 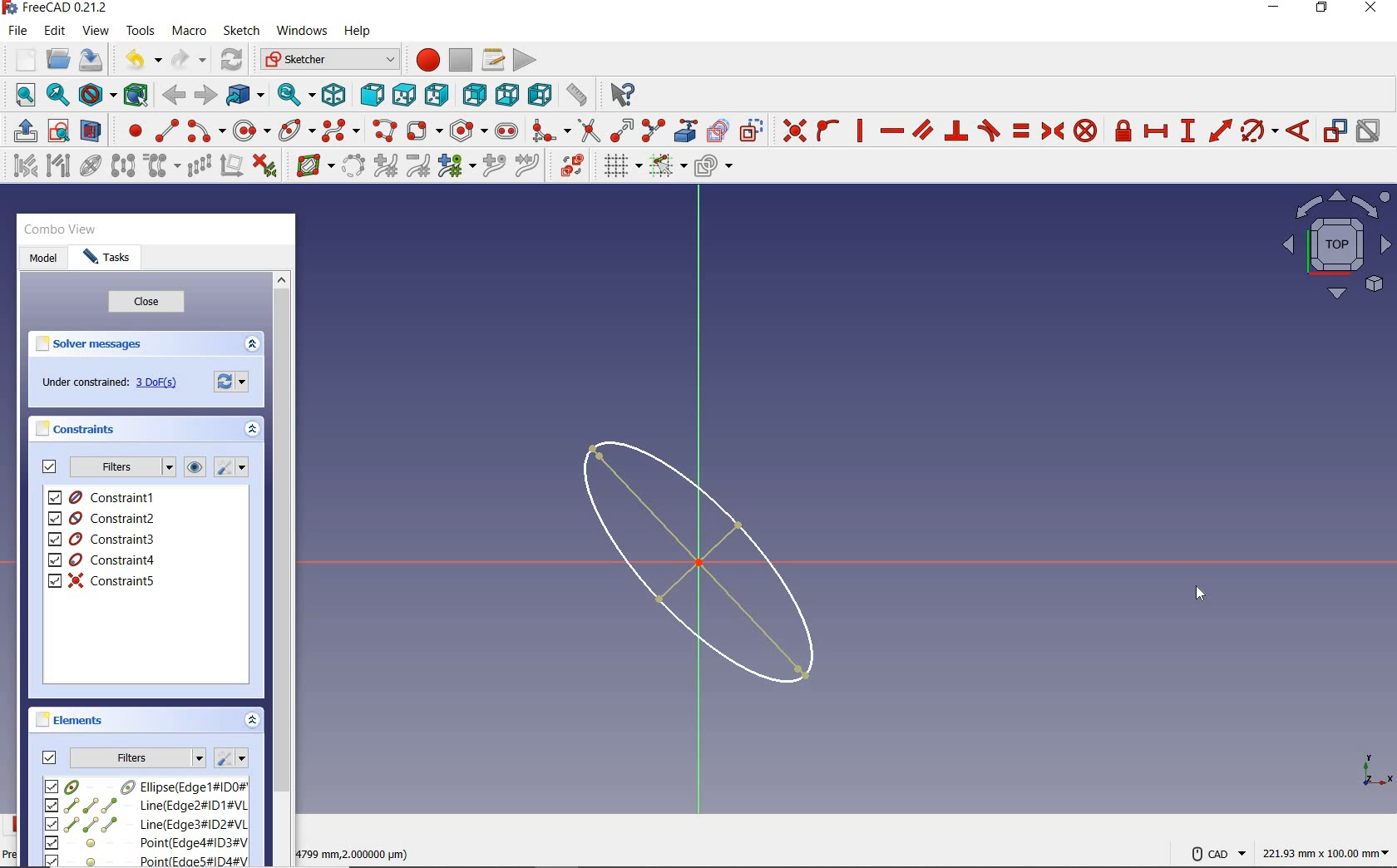 What do you see at coordinates (333, 94) in the screenshot?
I see `isometric` at bounding box center [333, 94].